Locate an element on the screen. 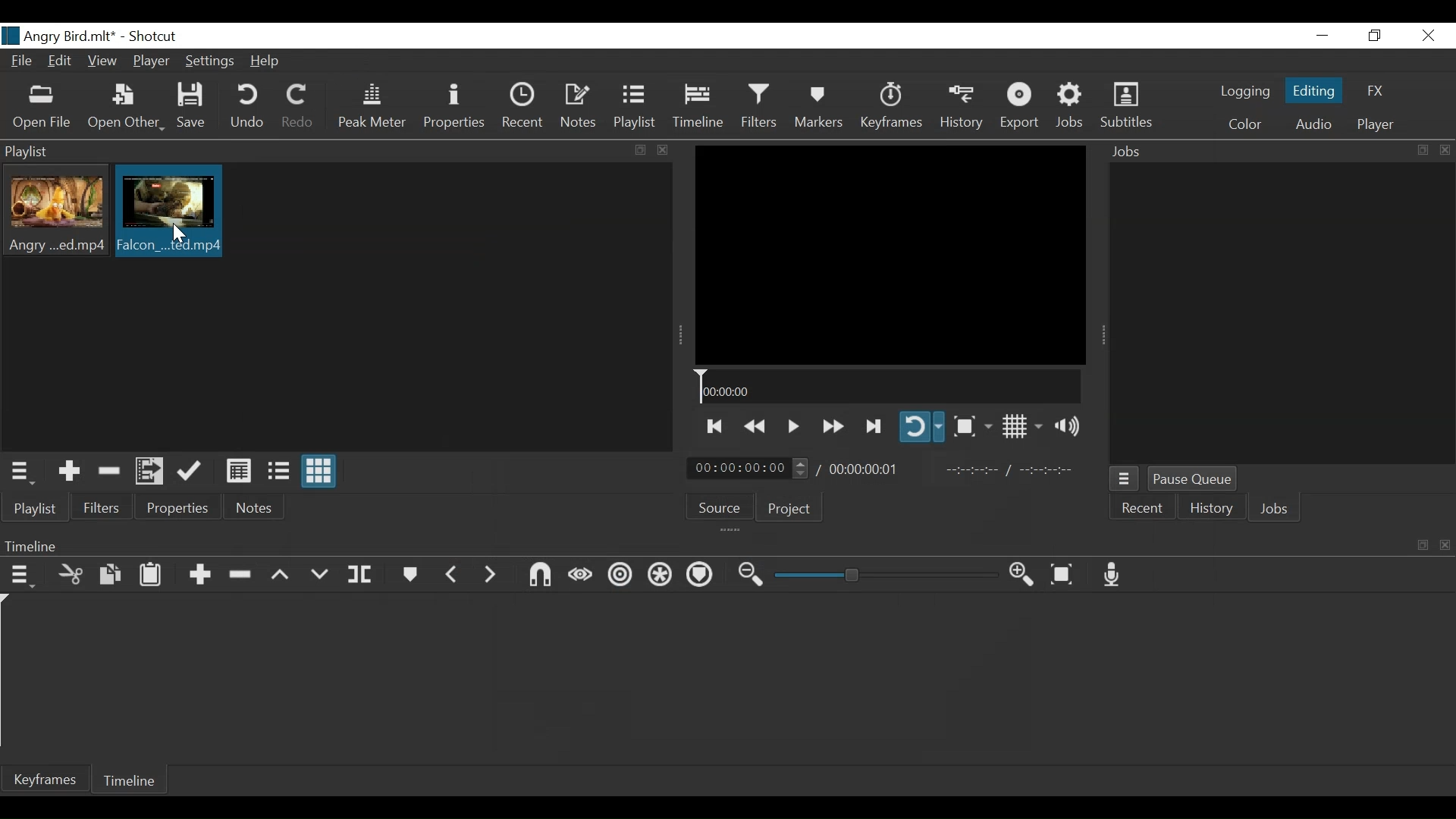 The width and height of the screenshot is (1456, 819). Source is located at coordinates (725, 506).